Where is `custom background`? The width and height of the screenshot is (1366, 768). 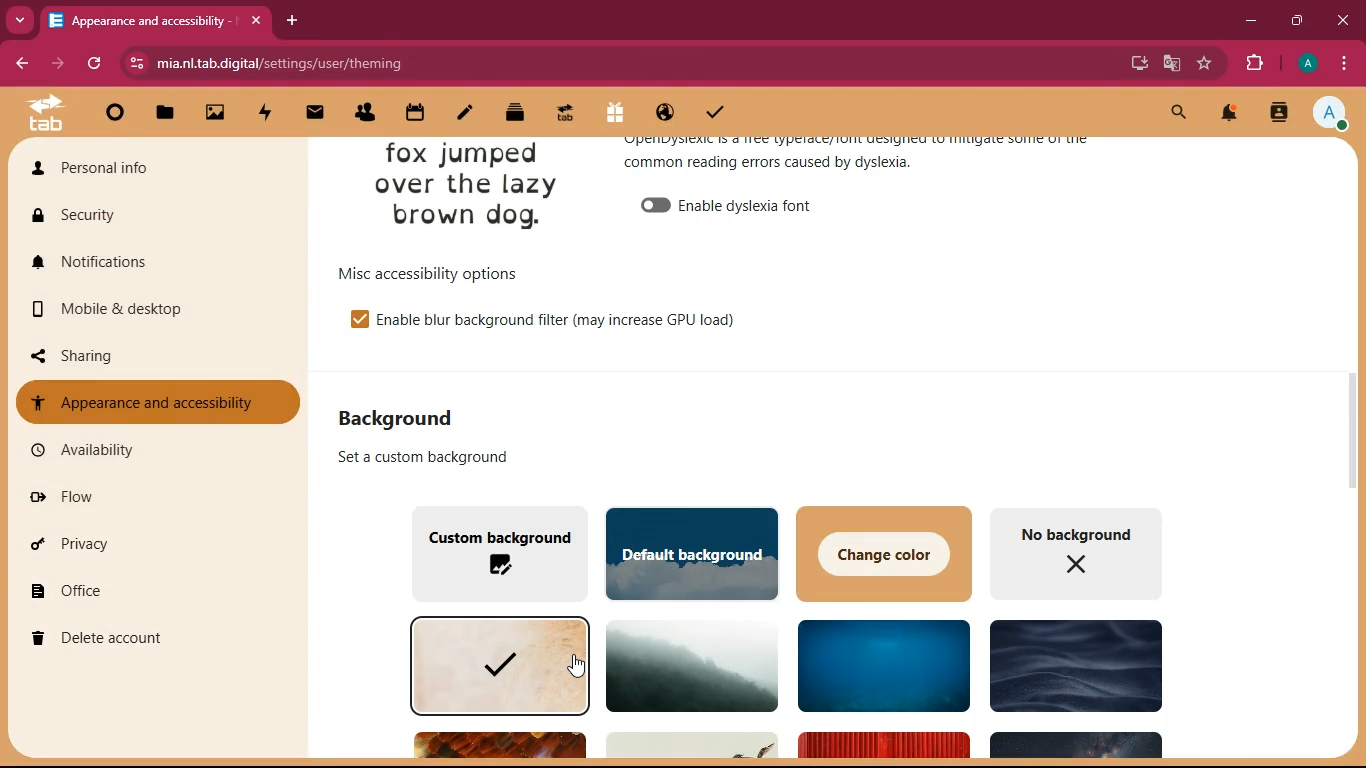
custom background is located at coordinates (425, 456).